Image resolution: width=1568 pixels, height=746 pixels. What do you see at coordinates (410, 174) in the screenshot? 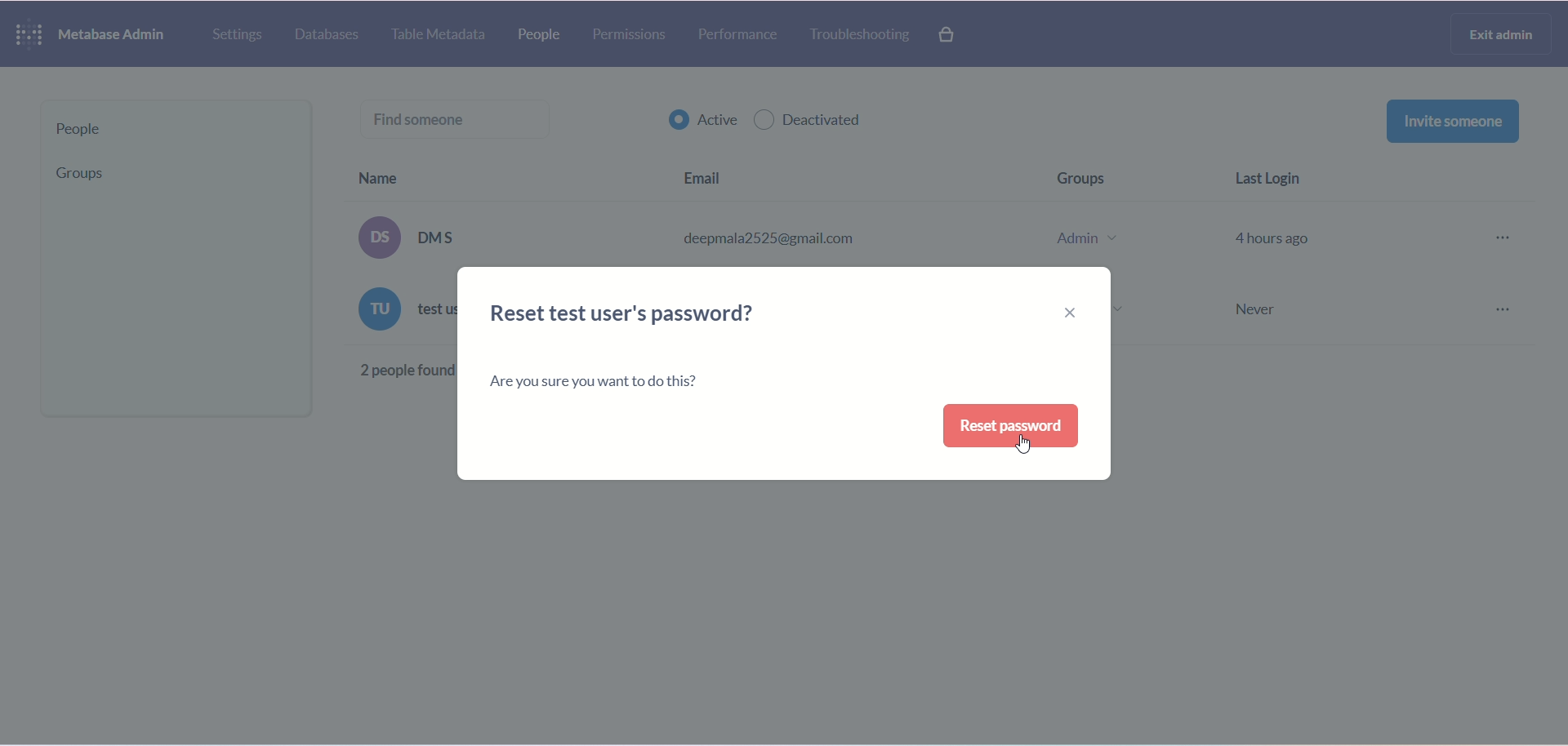
I see `name` at bounding box center [410, 174].